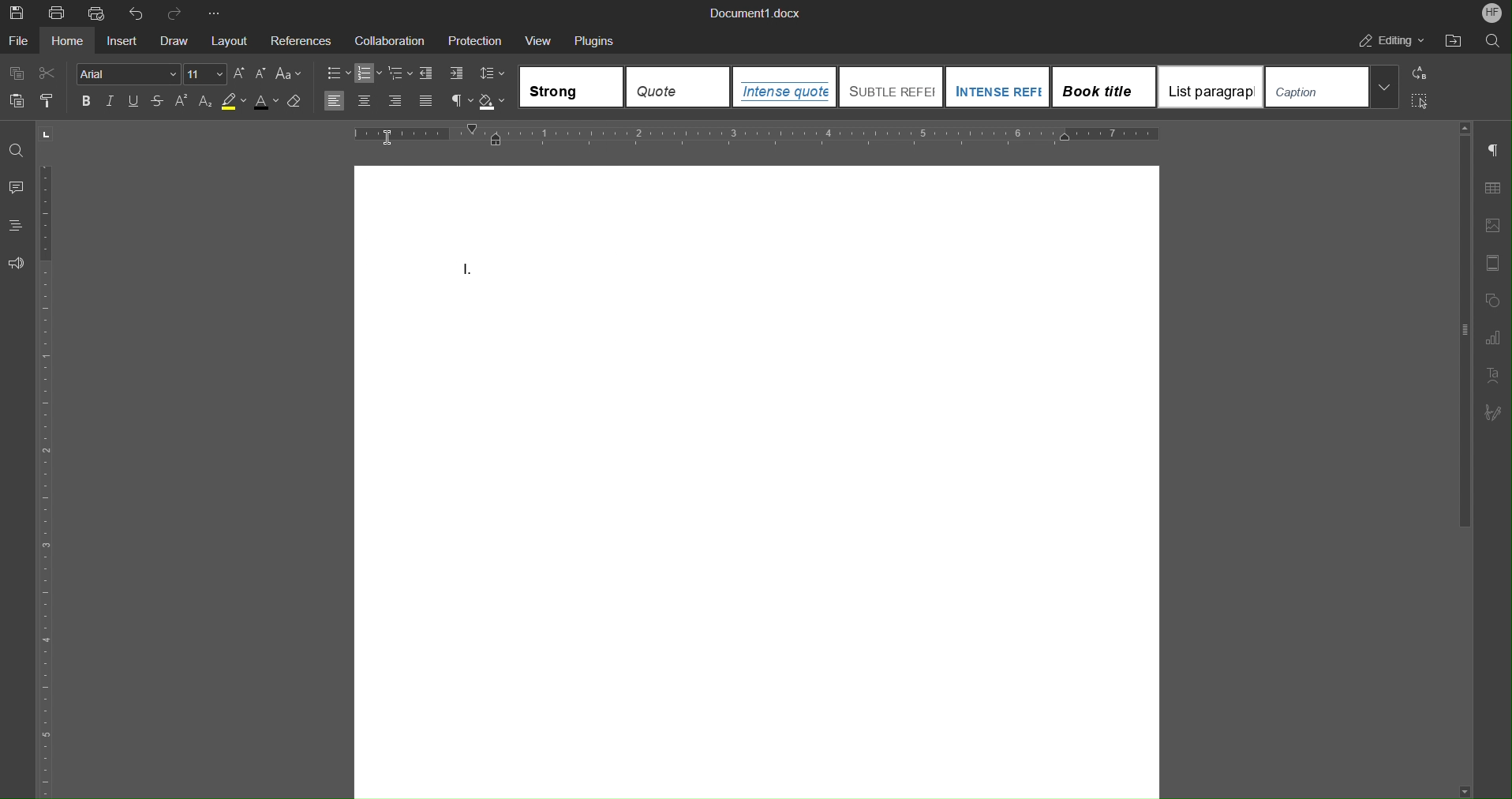 The image size is (1512, 799). I want to click on Decrease Indent, so click(425, 74).